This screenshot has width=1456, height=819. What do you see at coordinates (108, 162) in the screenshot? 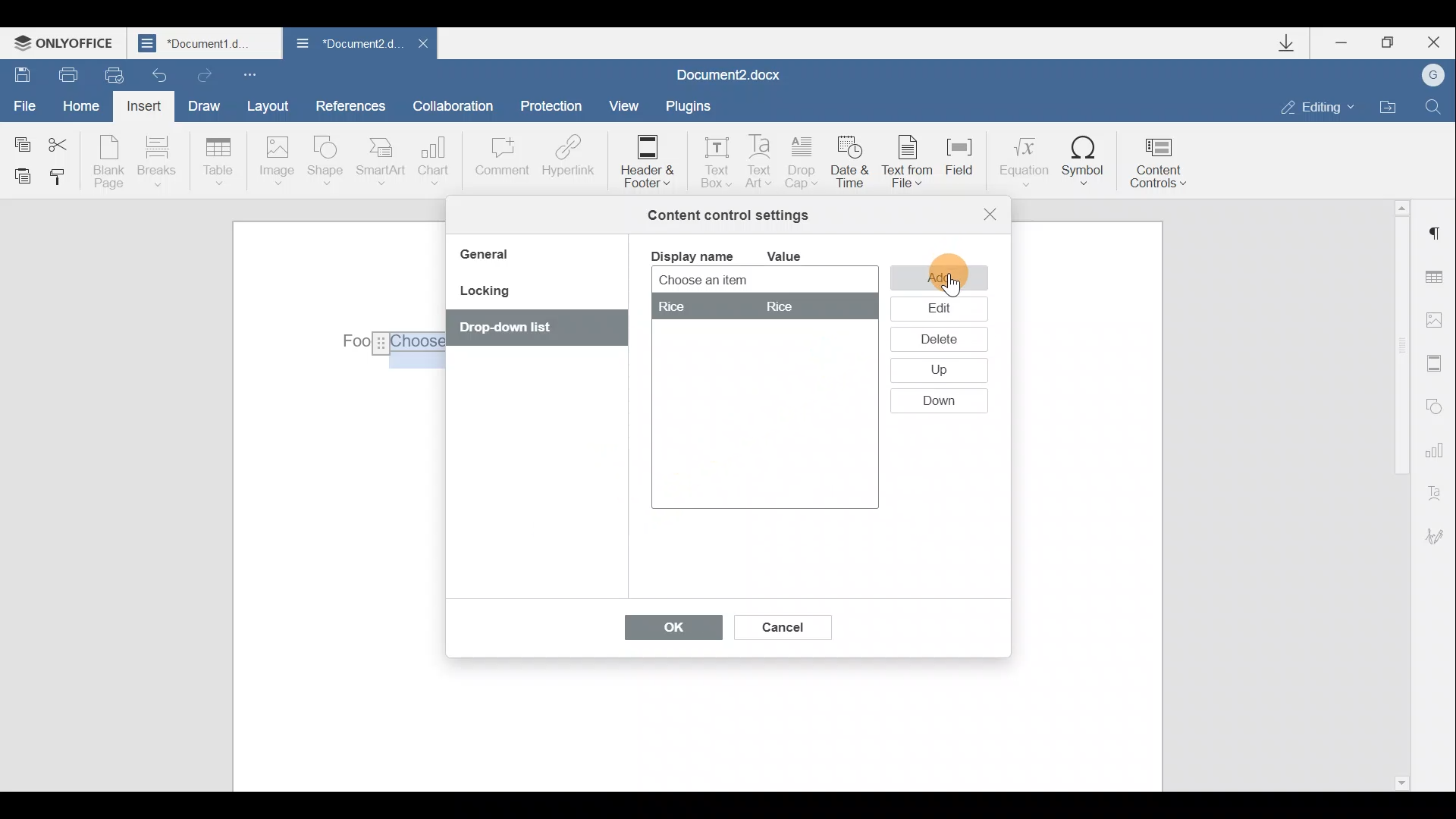
I see `Blank page` at bounding box center [108, 162].